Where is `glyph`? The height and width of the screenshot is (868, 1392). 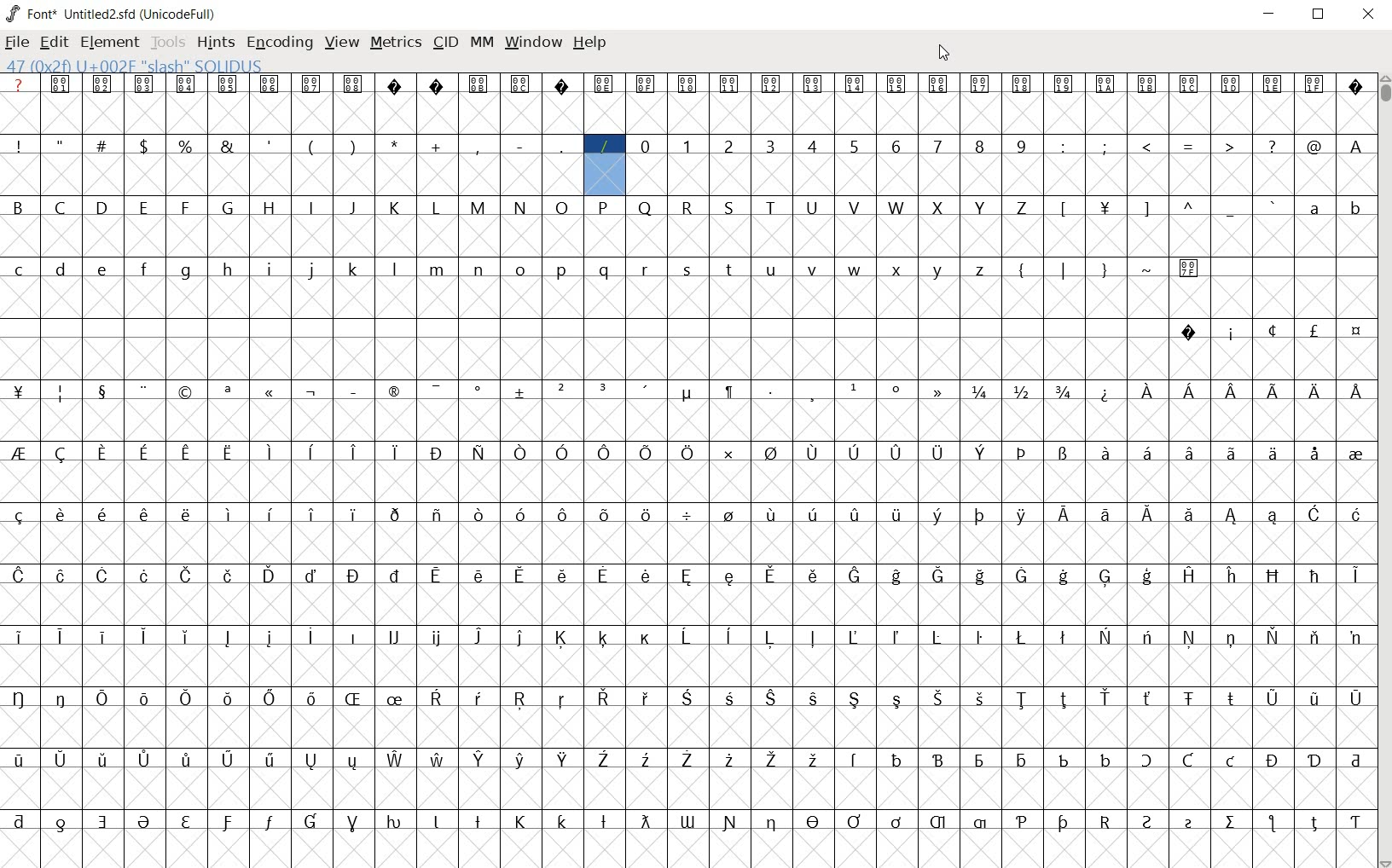 glyph is located at coordinates (937, 208).